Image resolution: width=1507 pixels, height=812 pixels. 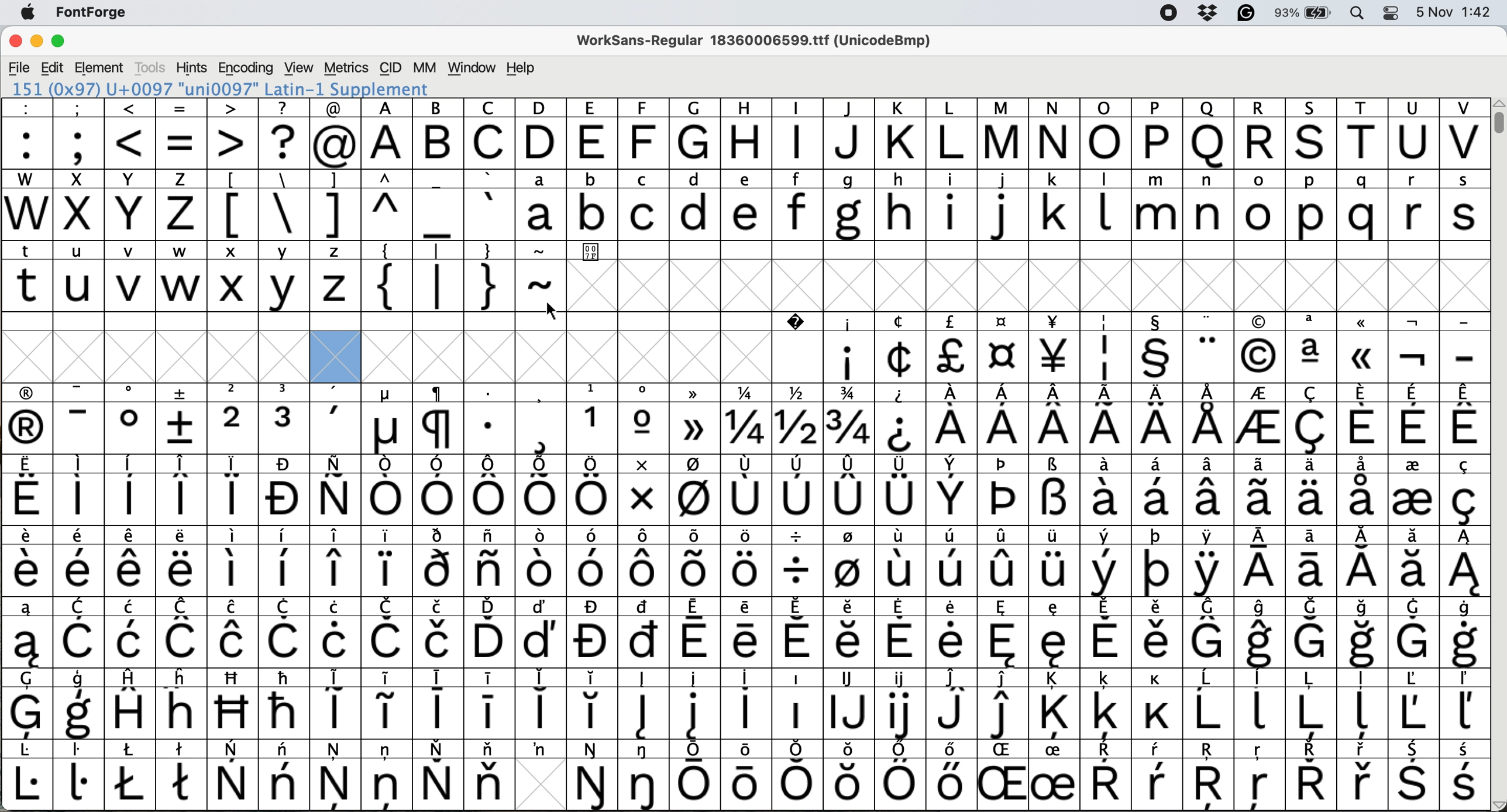 I want to click on symbol, so click(x=28, y=419).